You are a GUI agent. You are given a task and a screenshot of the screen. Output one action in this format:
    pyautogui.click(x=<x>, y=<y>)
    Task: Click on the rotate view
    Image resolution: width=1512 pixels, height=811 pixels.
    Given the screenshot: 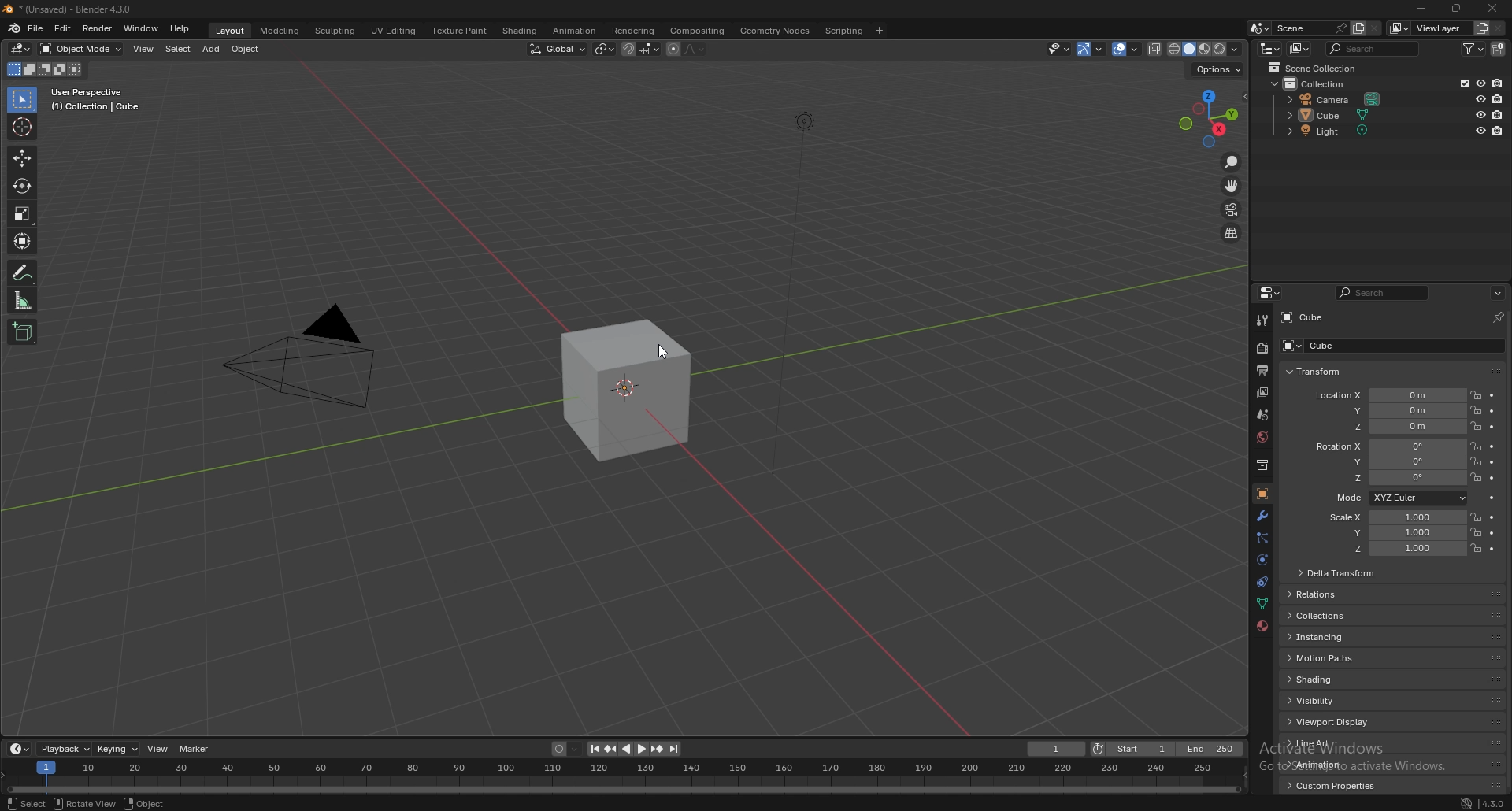 What is the action you would take?
    pyautogui.click(x=85, y=803)
    